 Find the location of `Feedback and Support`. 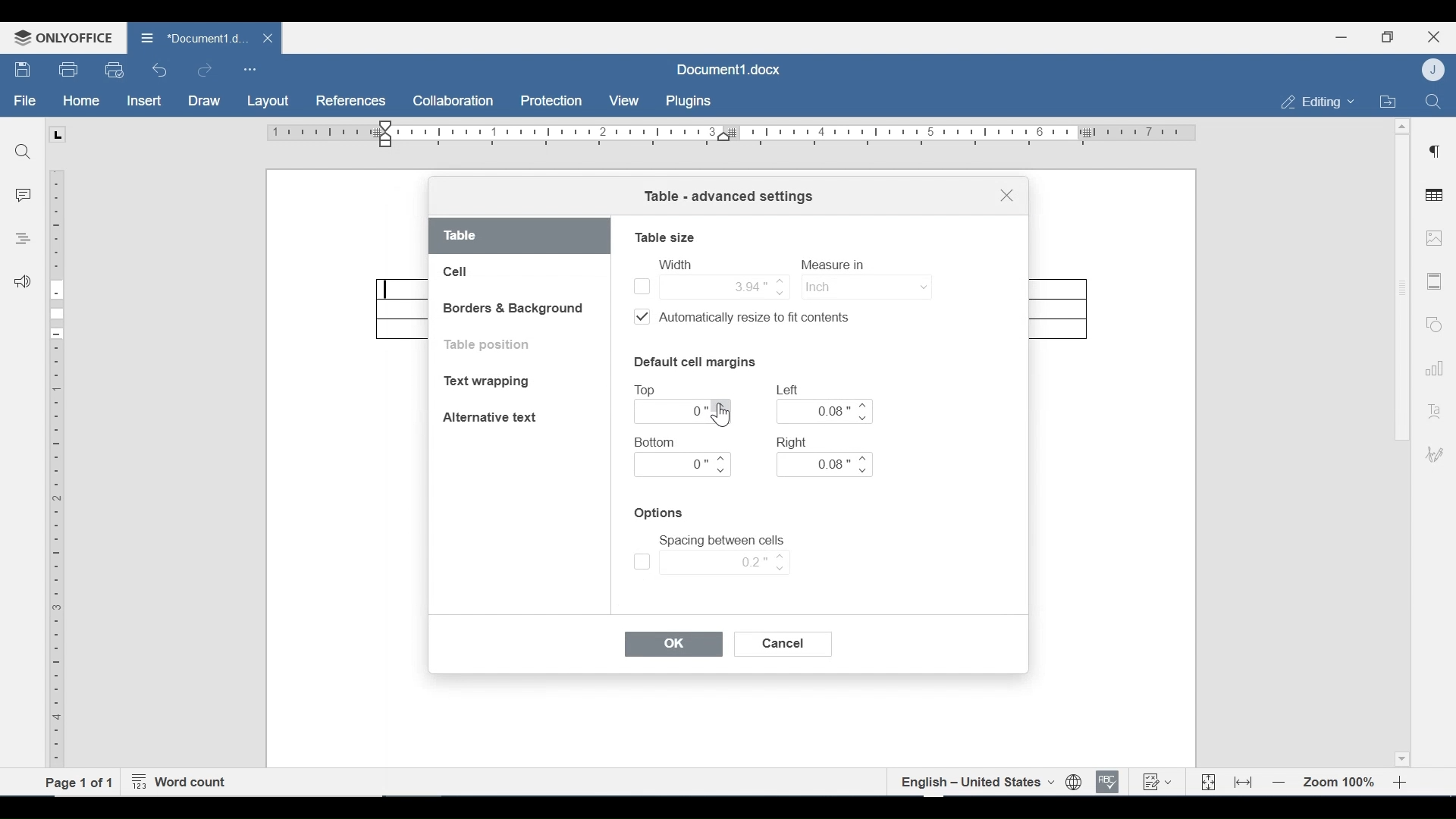

Feedback and Support is located at coordinates (22, 283).